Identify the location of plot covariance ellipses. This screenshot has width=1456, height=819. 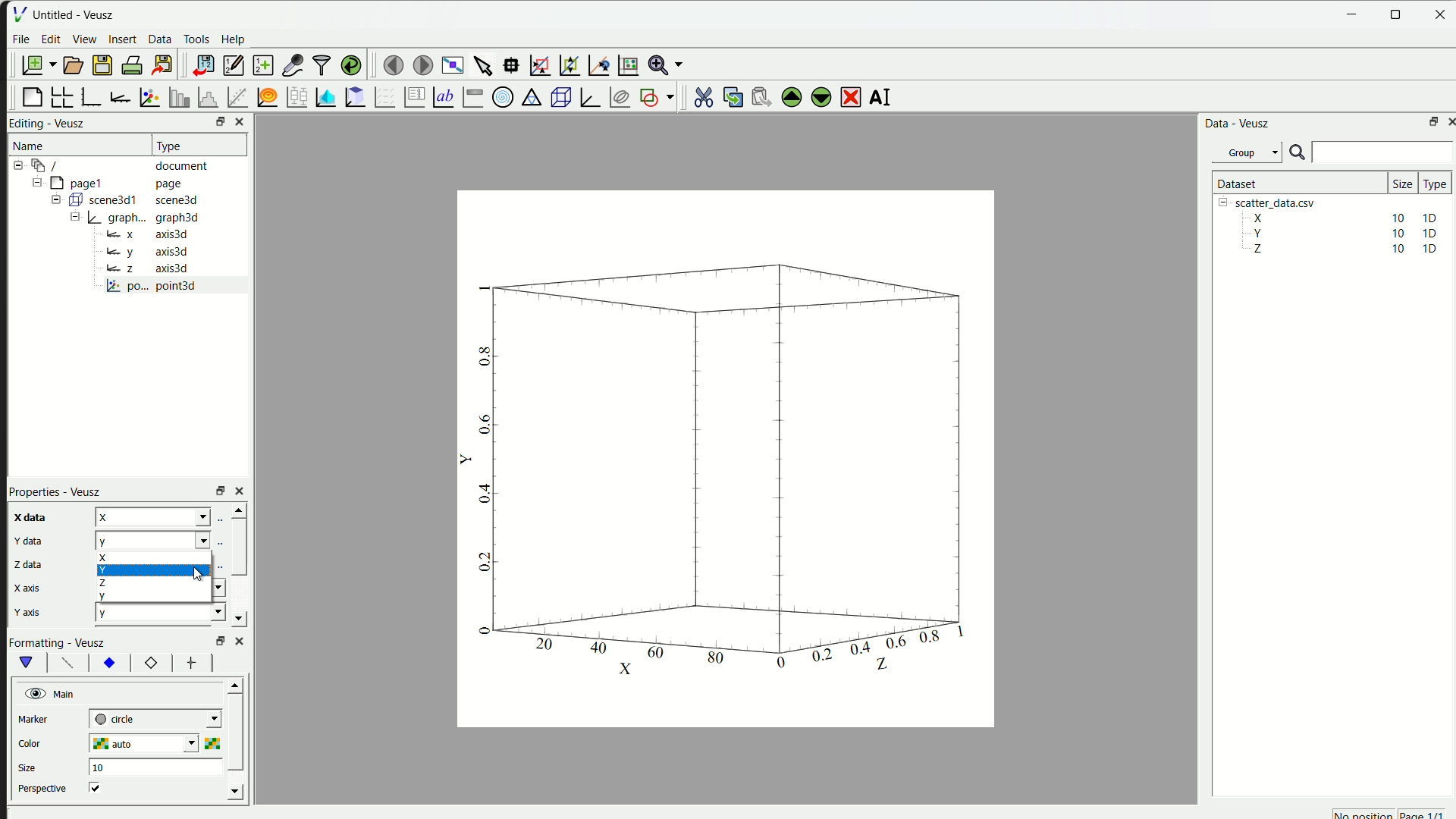
(617, 96).